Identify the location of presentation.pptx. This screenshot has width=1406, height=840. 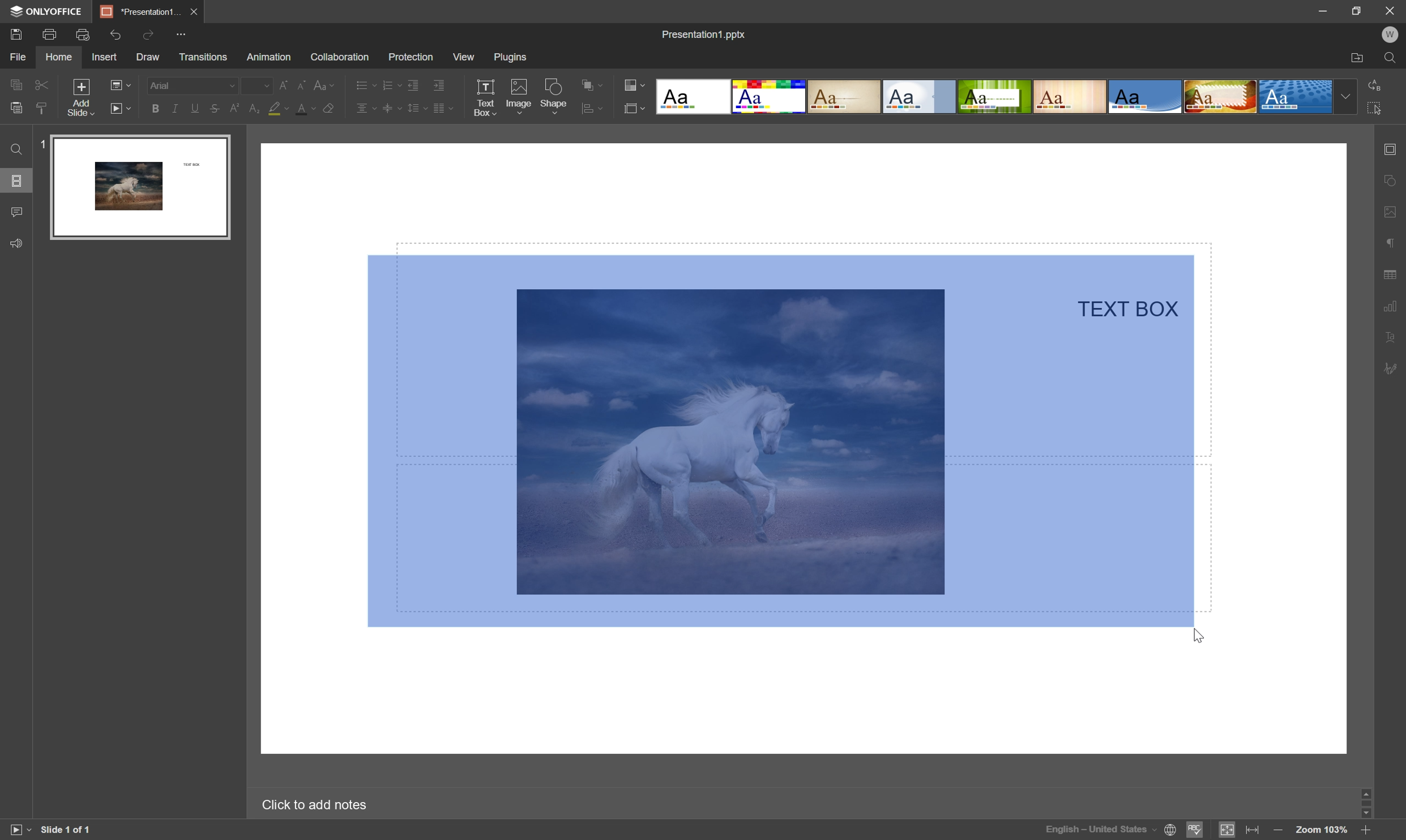
(703, 34).